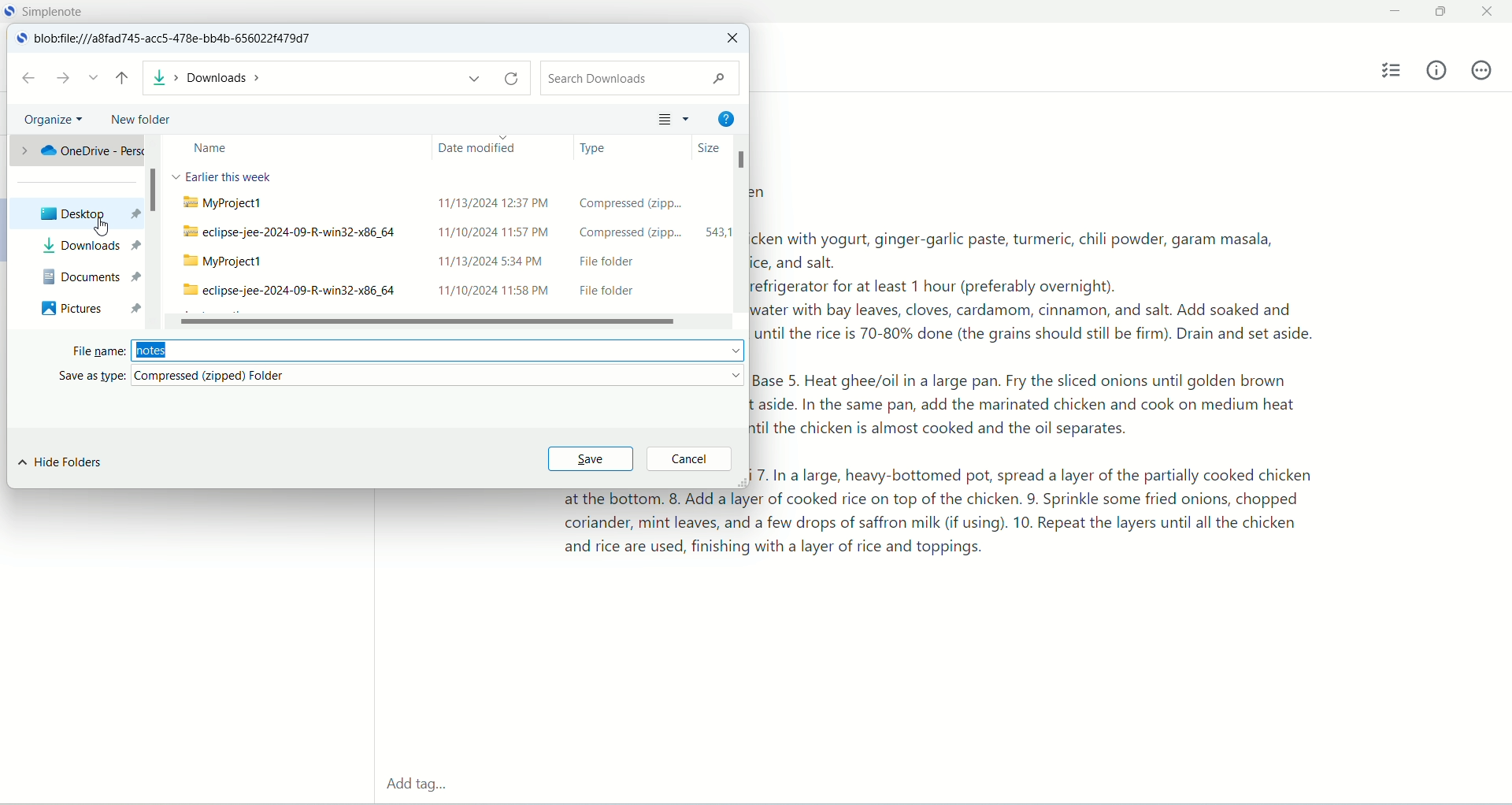 The width and height of the screenshot is (1512, 805). Describe the element at coordinates (398, 380) in the screenshot. I see `save as type` at that location.